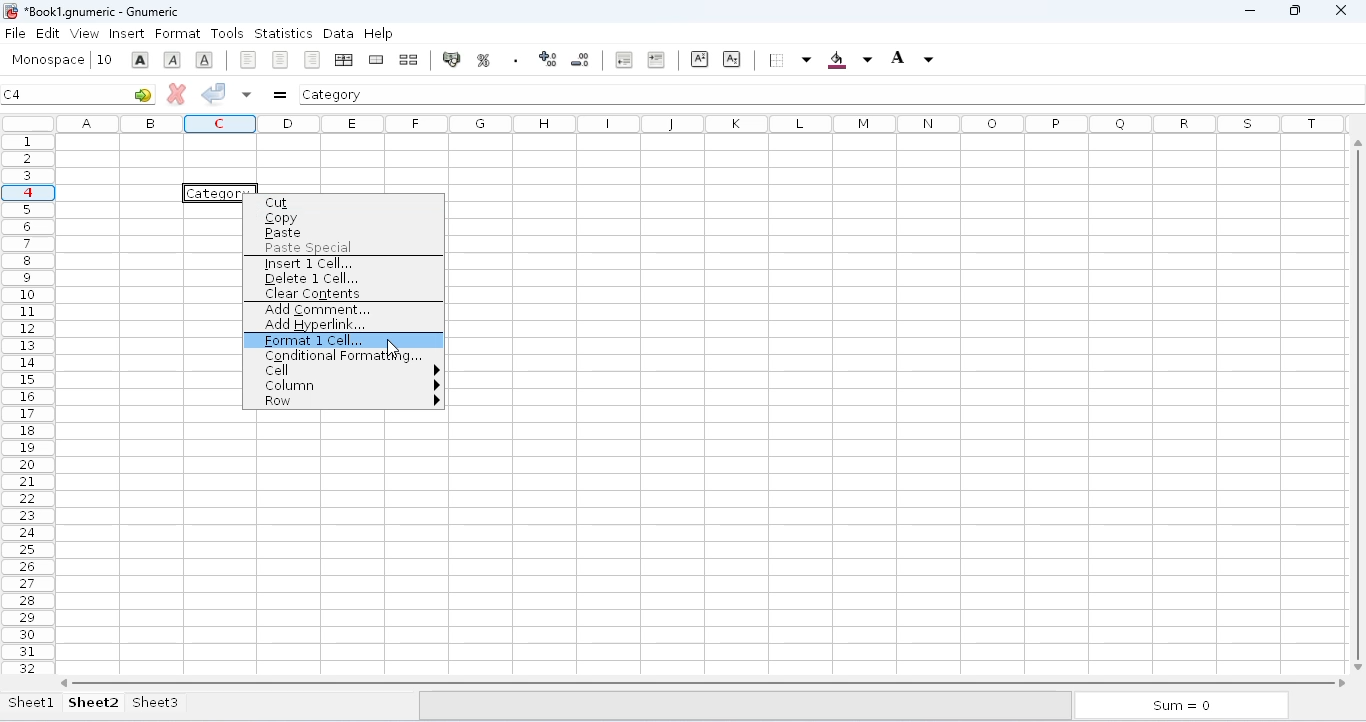 The height and width of the screenshot is (722, 1366). I want to click on decrease the number of decimals displayed, so click(581, 59).